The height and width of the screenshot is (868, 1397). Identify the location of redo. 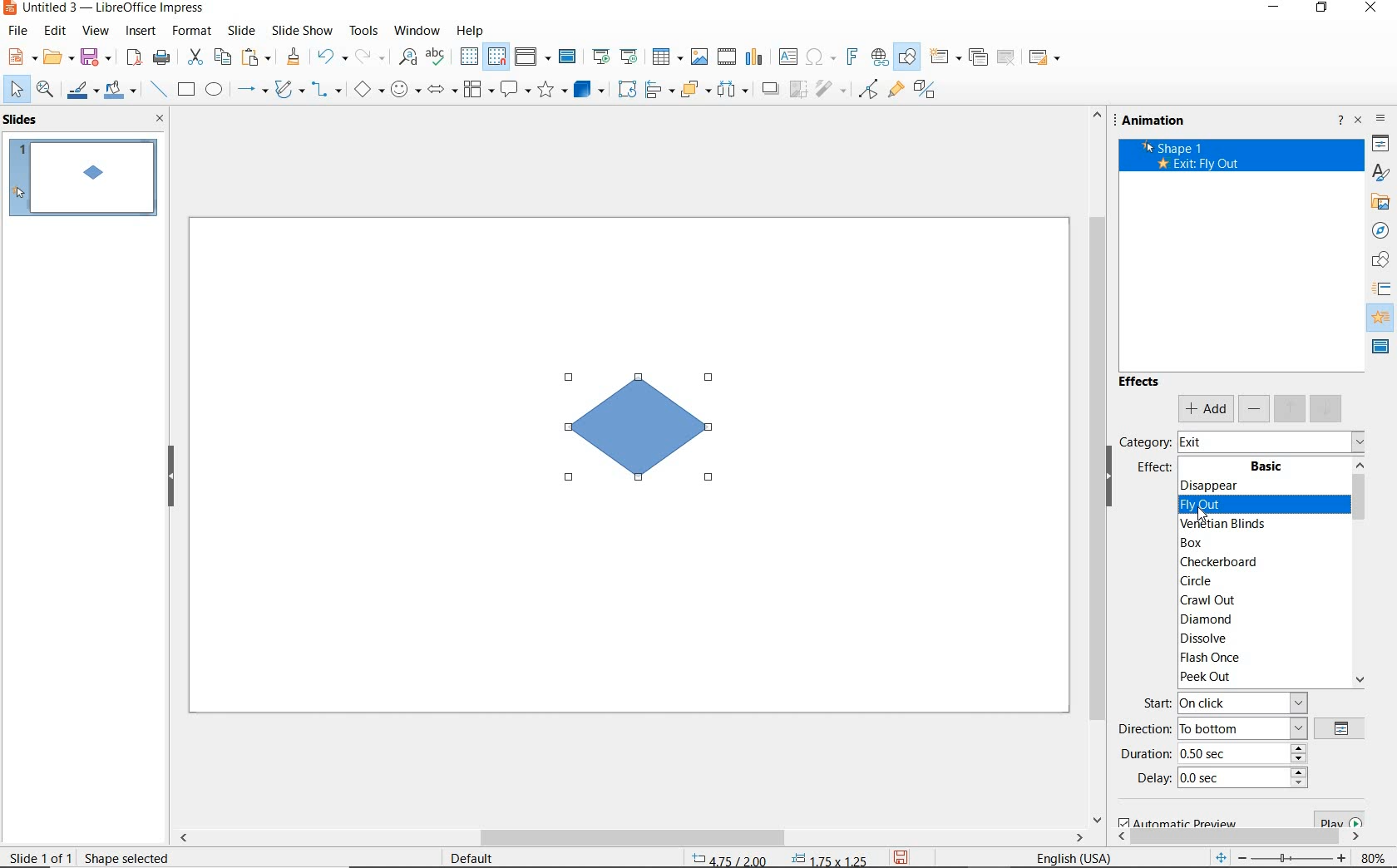
(369, 57).